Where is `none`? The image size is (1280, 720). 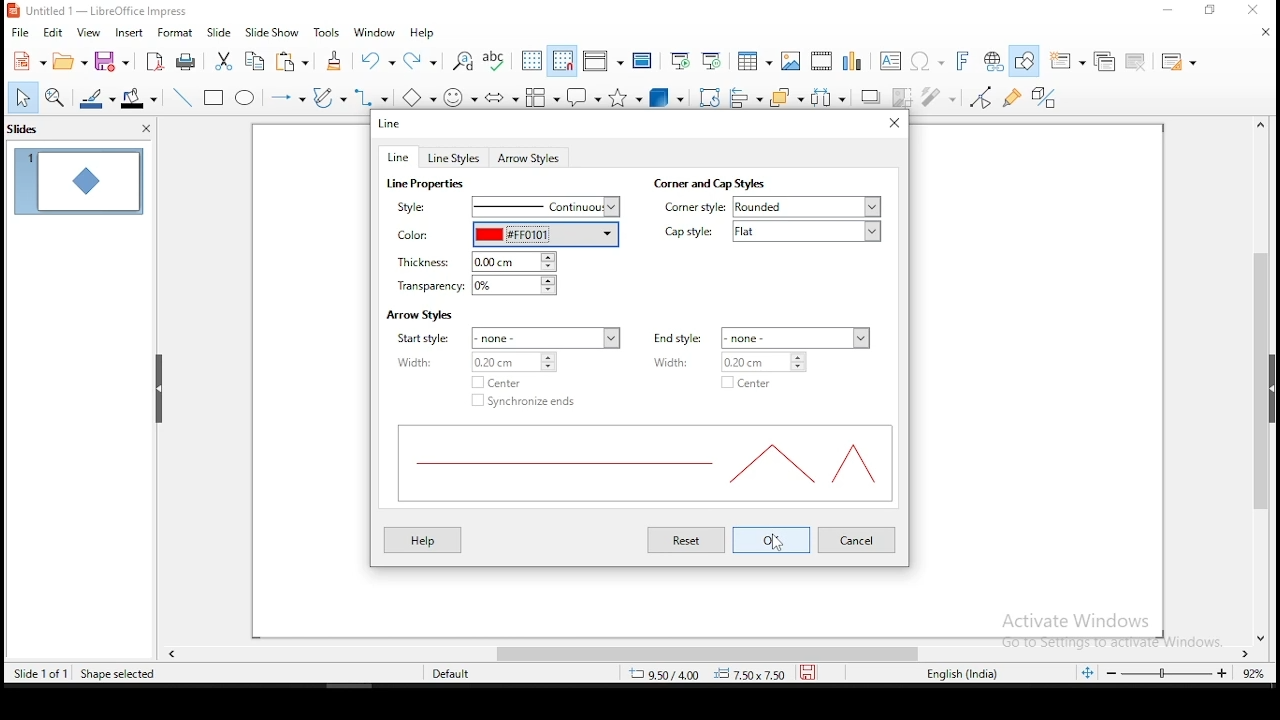 none is located at coordinates (798, 336).